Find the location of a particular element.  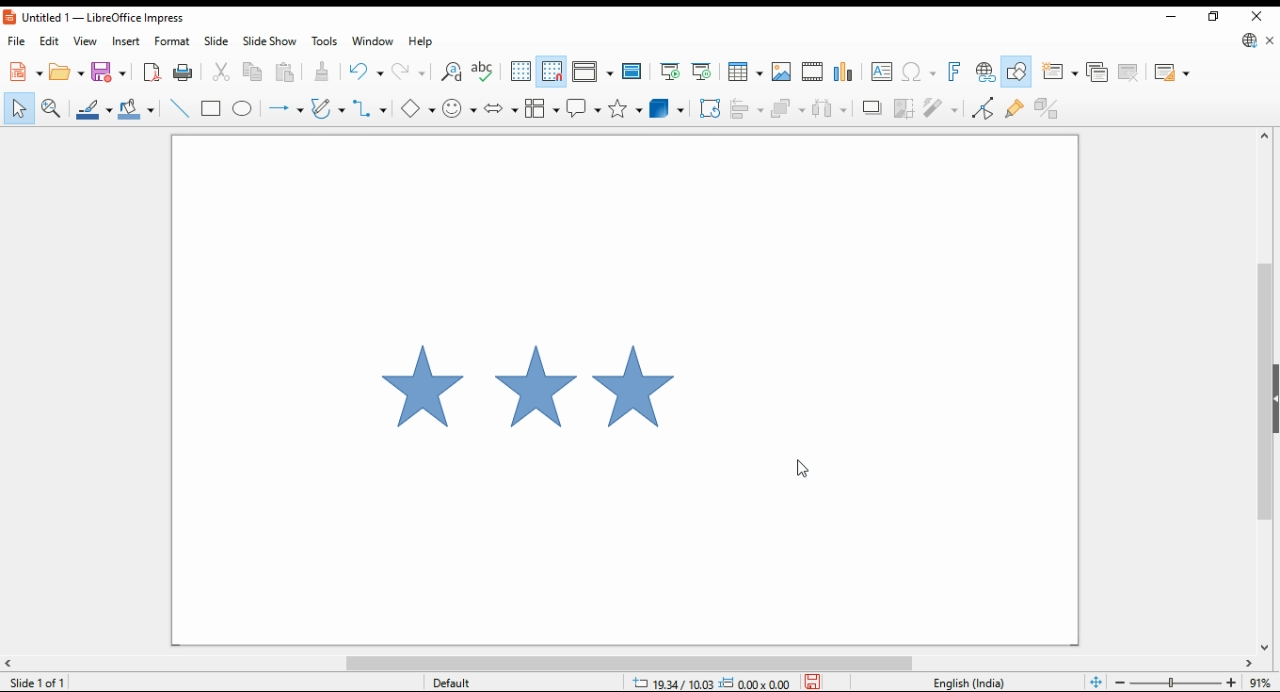

start from current slide is located at coordinates (701, 72).